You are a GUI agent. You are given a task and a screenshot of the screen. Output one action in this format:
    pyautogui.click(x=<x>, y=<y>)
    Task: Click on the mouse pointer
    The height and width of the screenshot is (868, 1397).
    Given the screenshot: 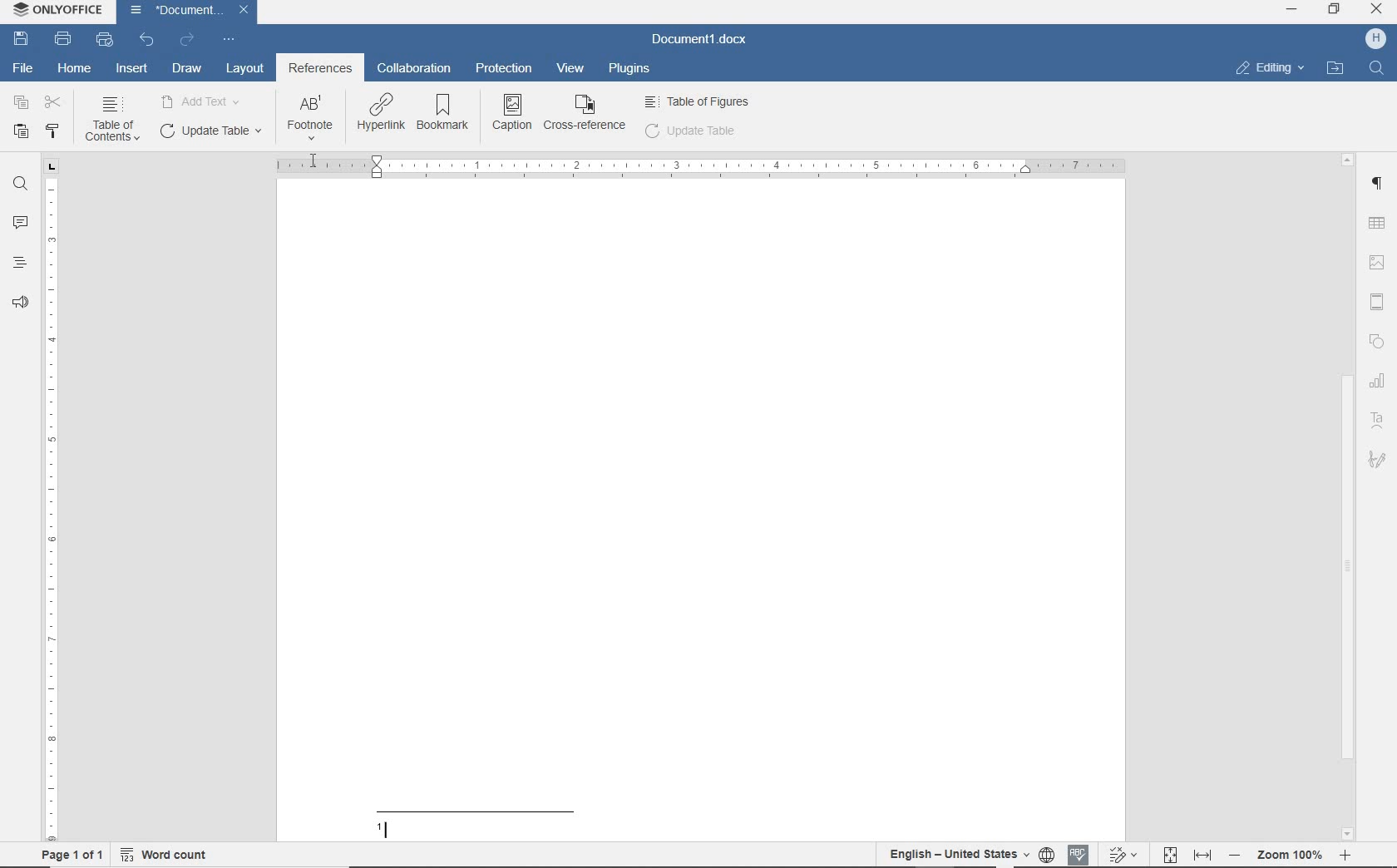 What is the action you would take?
    pyautogui.click(x=313, y=160)
    